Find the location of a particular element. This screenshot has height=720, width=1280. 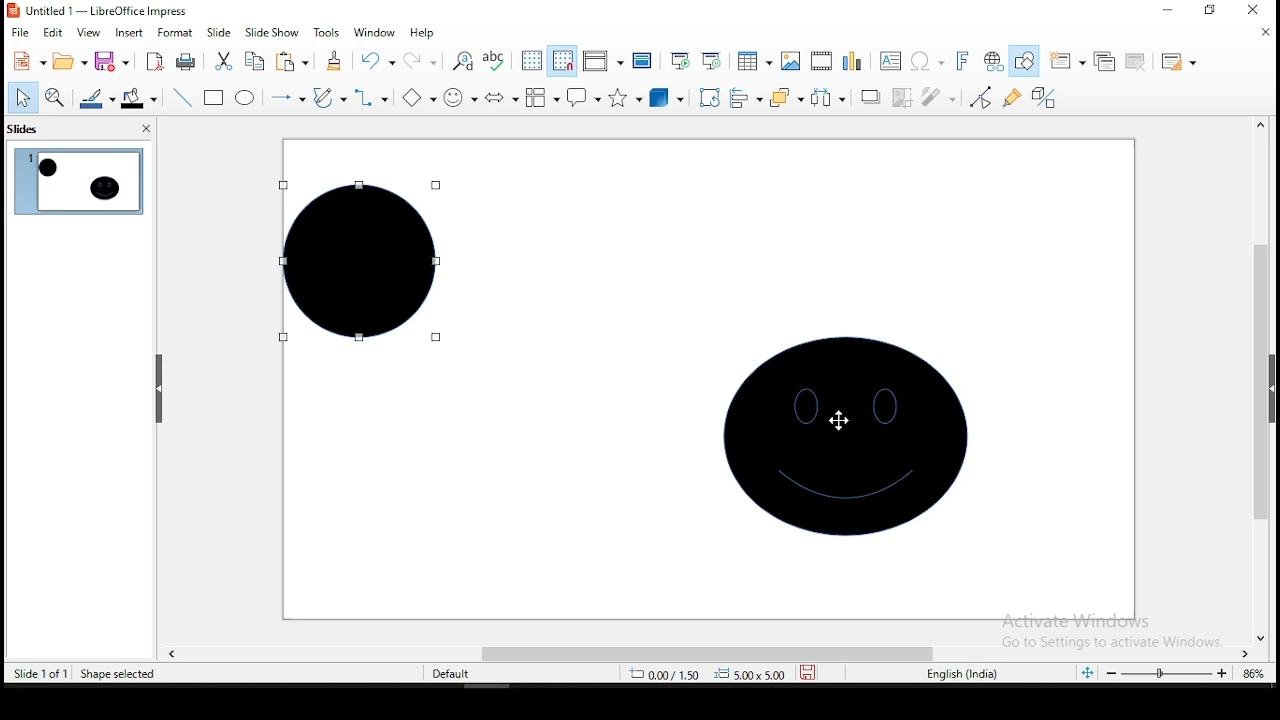

display grid is located at coordinates (532, 62).